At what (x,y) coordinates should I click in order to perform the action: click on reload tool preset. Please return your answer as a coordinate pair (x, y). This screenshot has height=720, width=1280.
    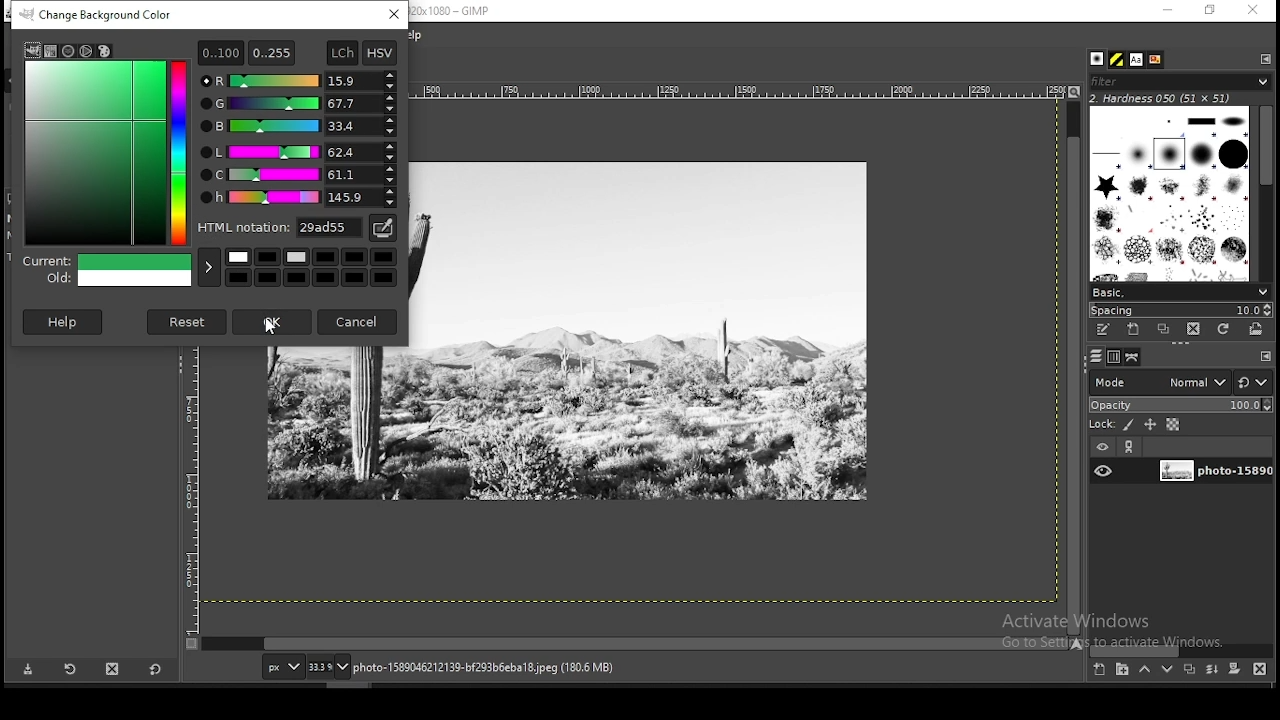
    Looking at the image, I should click on (72, 668).